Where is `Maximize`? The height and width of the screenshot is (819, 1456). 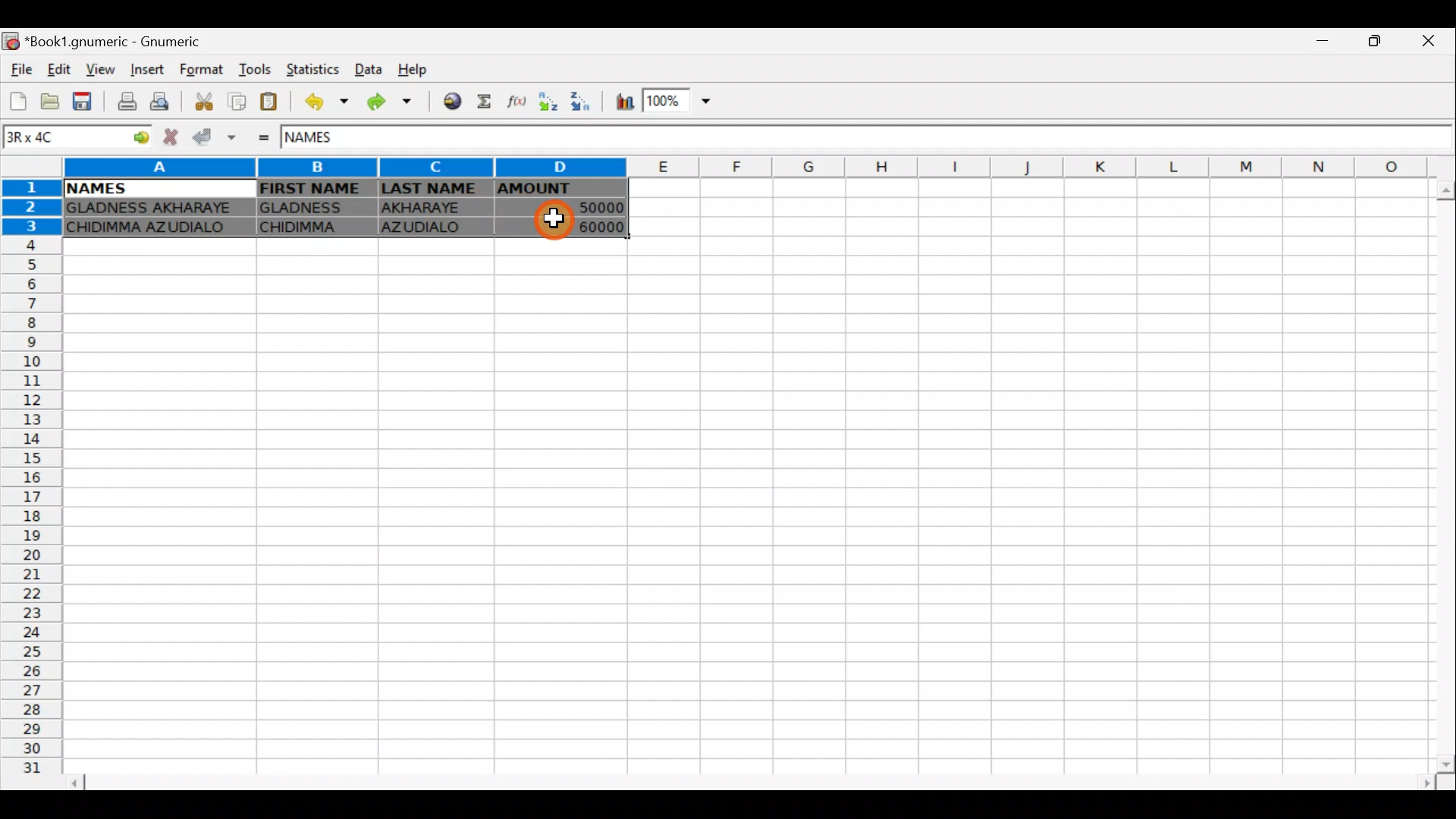 Maximize is located at coordinates (1379, 42).